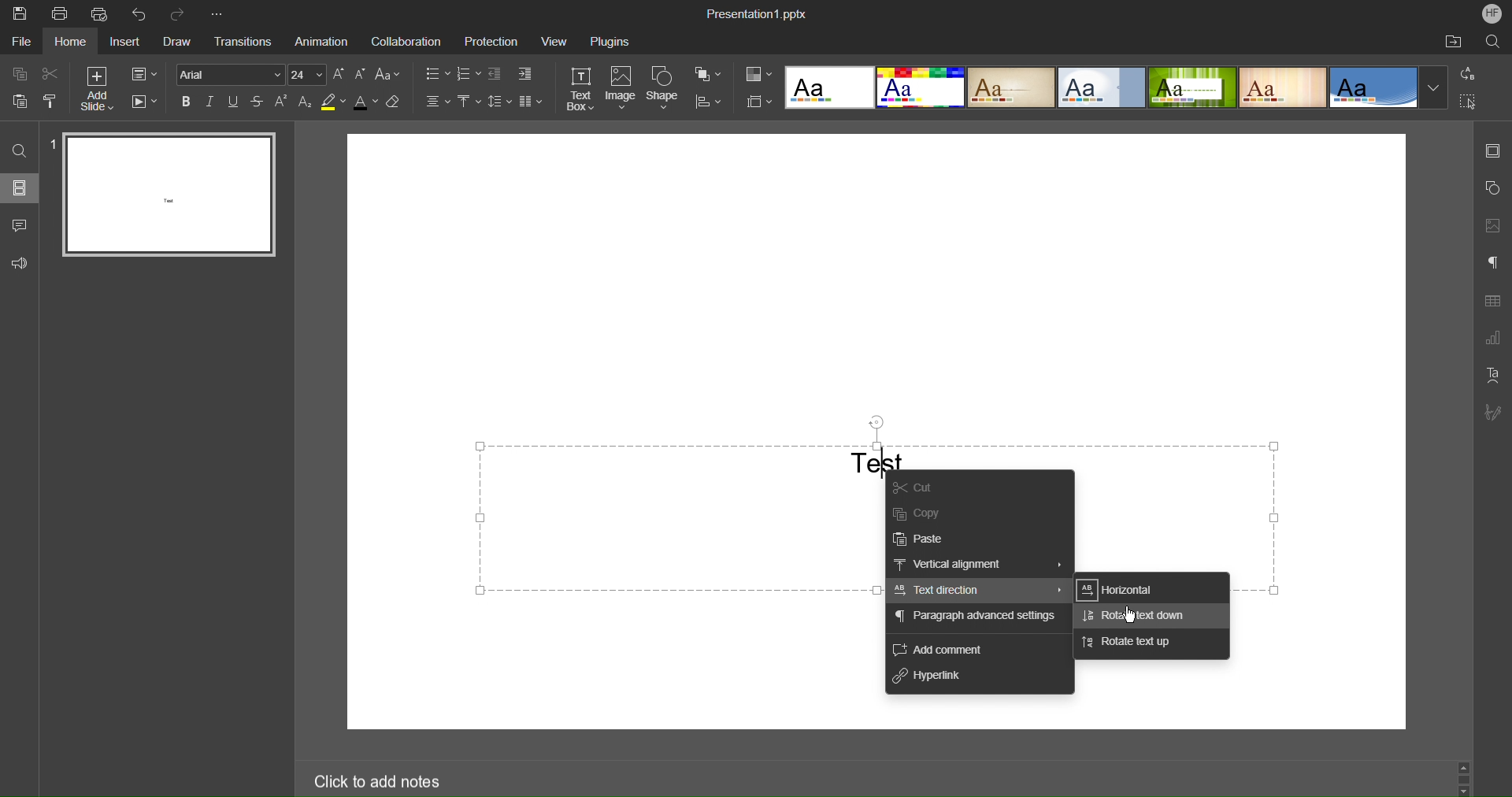 The image size is (1512, 797). What do you see at coordinates (1492, 375) in the screenshot?
I see `Text Art` at bounding box center [1492, 375].